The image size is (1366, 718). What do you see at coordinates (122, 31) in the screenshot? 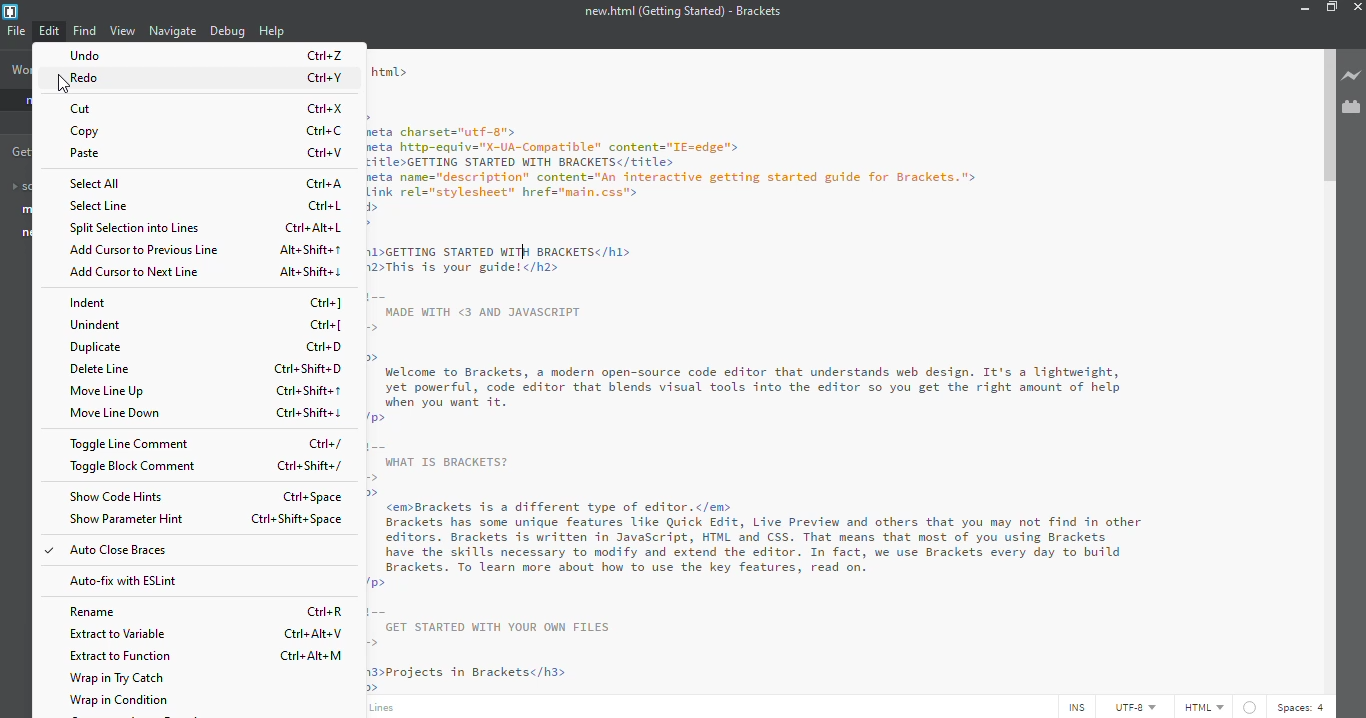
I see `view` at bounding box center [122, 31].